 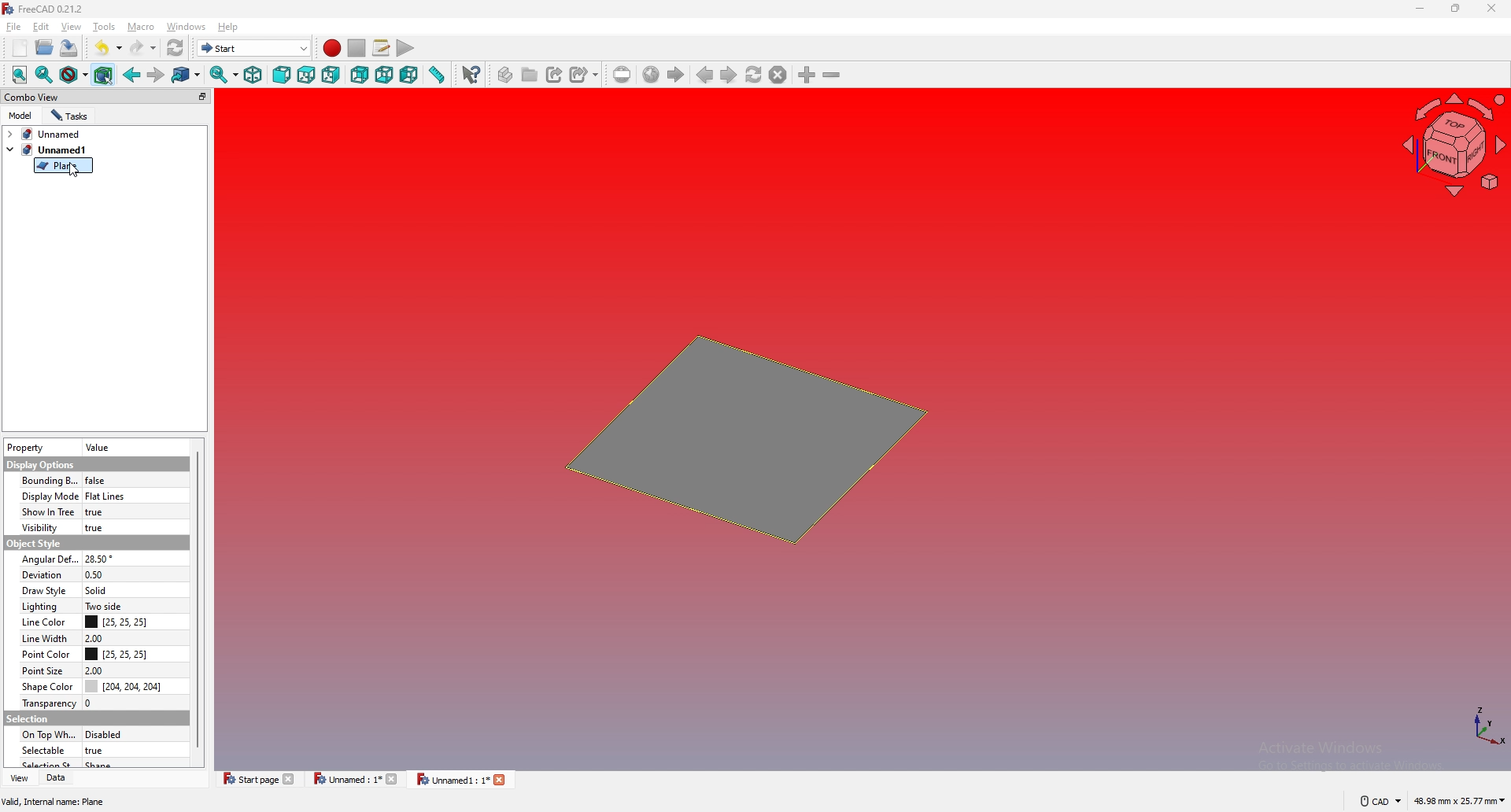 I want to click on FreeCAD 0.21.2, so click(x=45, y=9).